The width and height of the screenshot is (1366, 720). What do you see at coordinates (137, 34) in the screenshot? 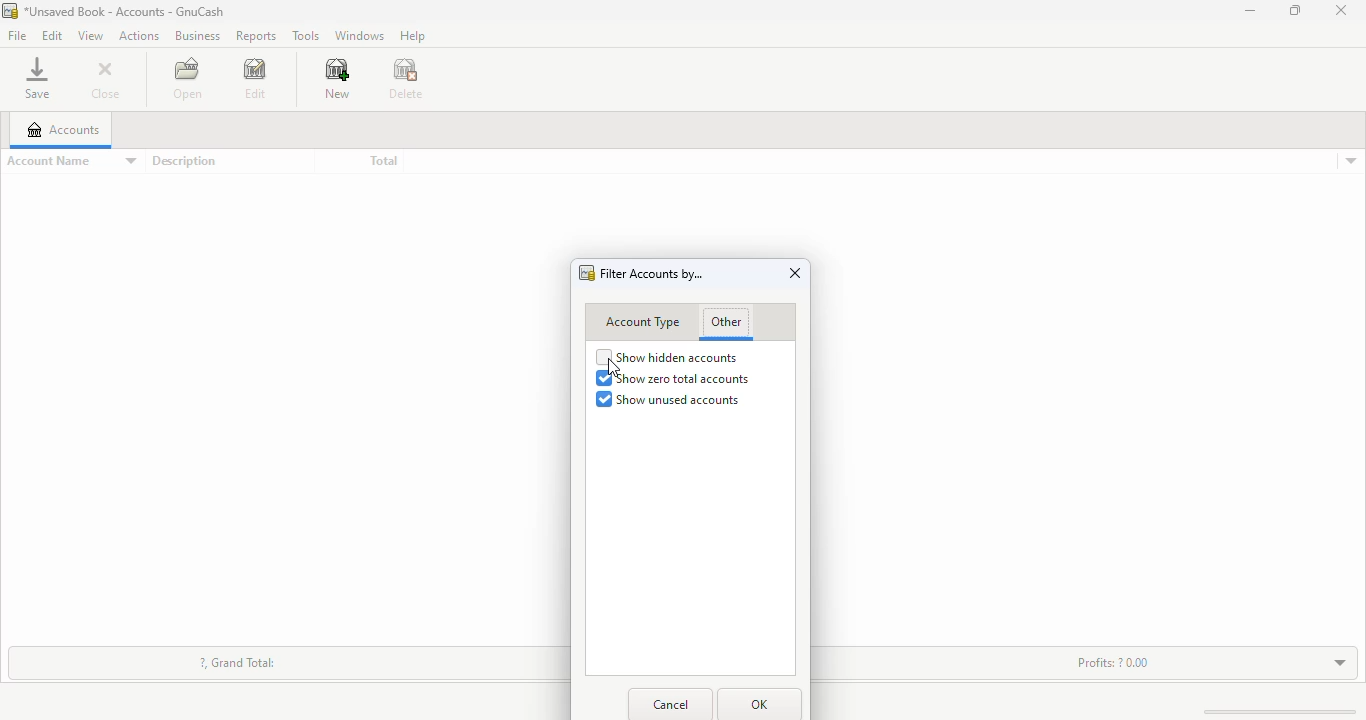
I see `actions` at bounding box center [137, 34].